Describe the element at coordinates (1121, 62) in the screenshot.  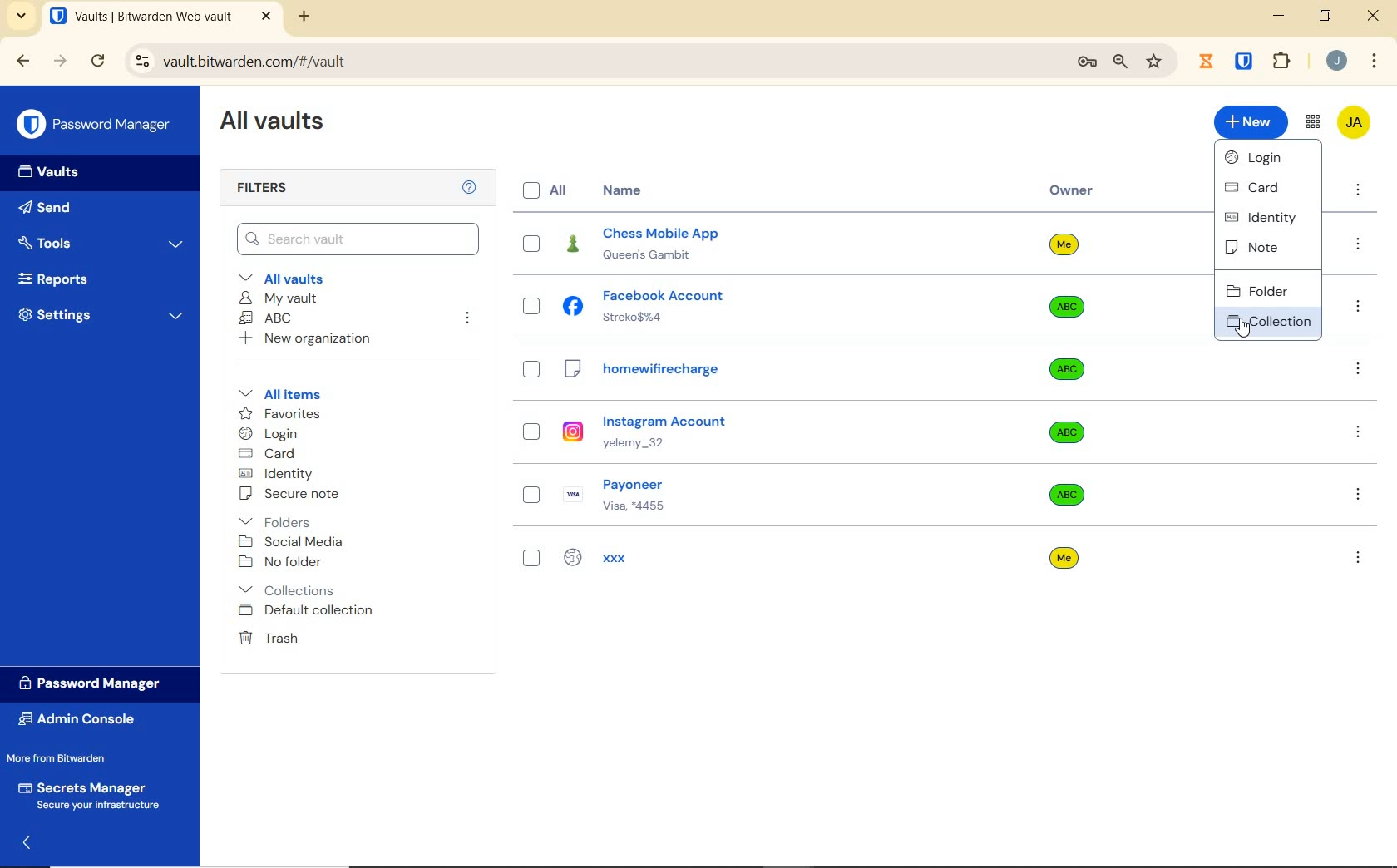
I see `zoom` at that location.